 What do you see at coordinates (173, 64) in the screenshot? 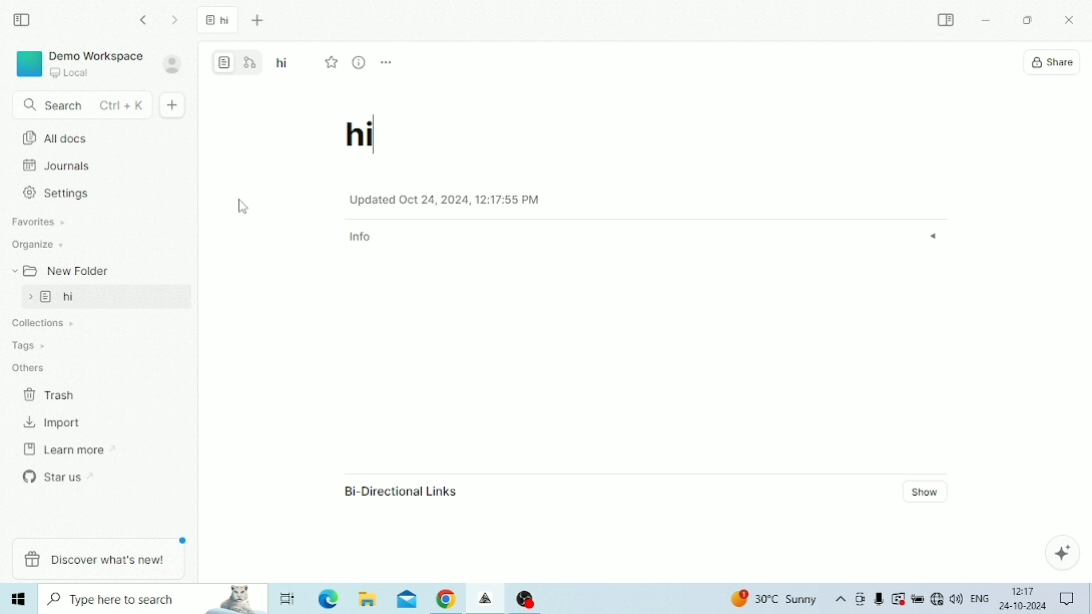
I see `Account` at bounding box center [173, 64].